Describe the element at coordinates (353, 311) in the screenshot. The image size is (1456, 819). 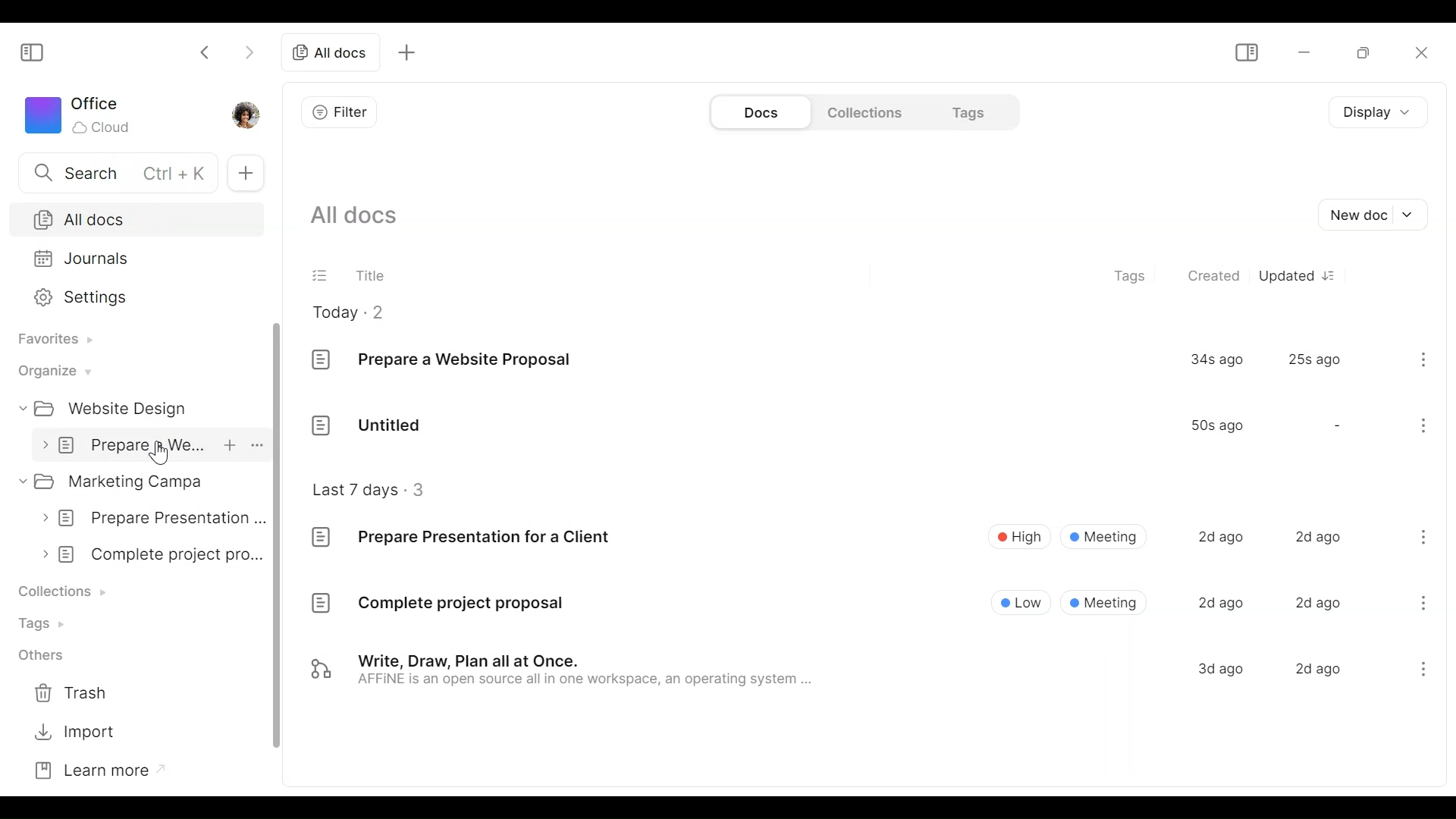
I see `Today` at that location.